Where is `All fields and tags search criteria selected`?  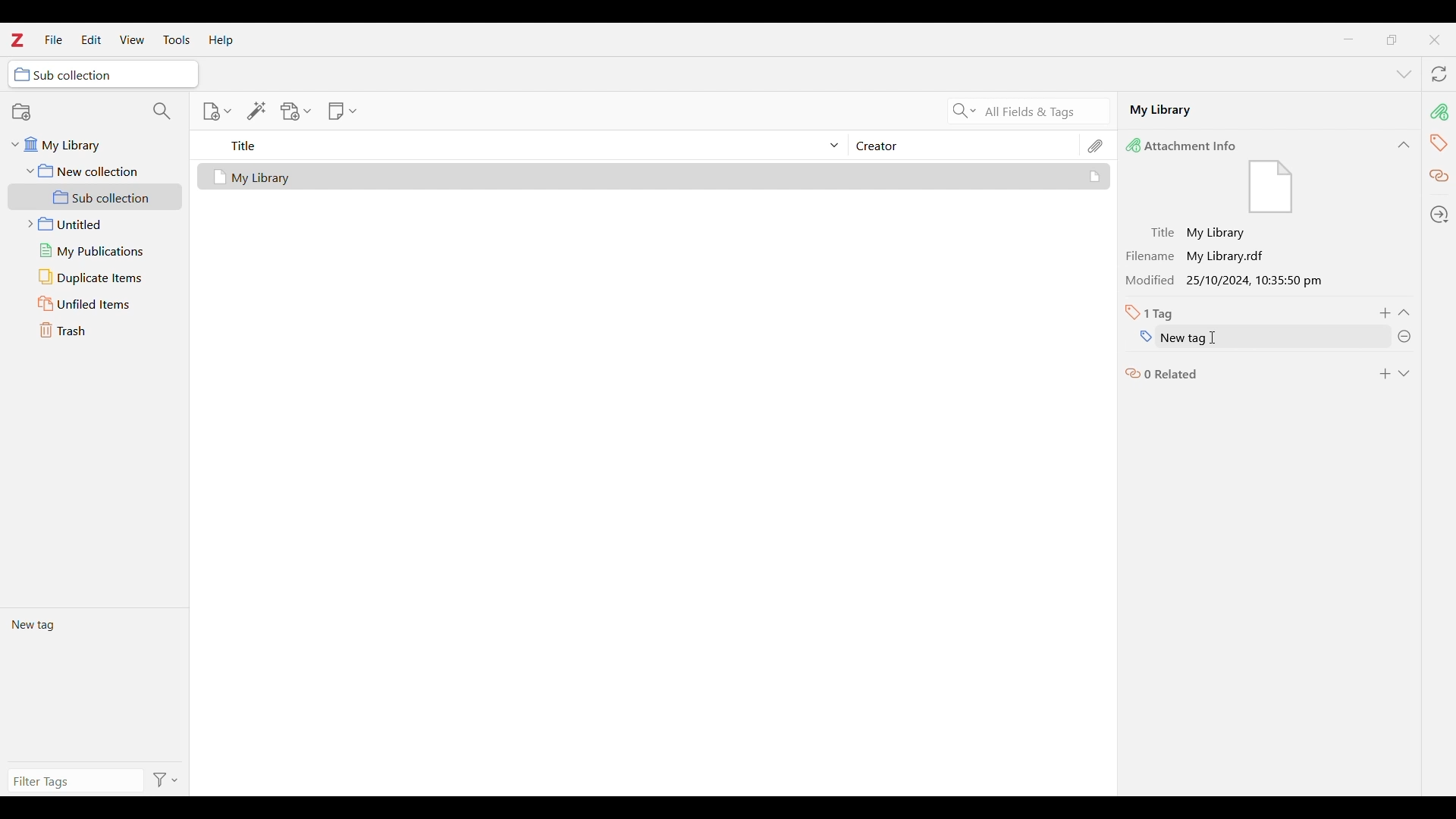
All fields and tags search criteria selected is located at coordinates (1043, 112).